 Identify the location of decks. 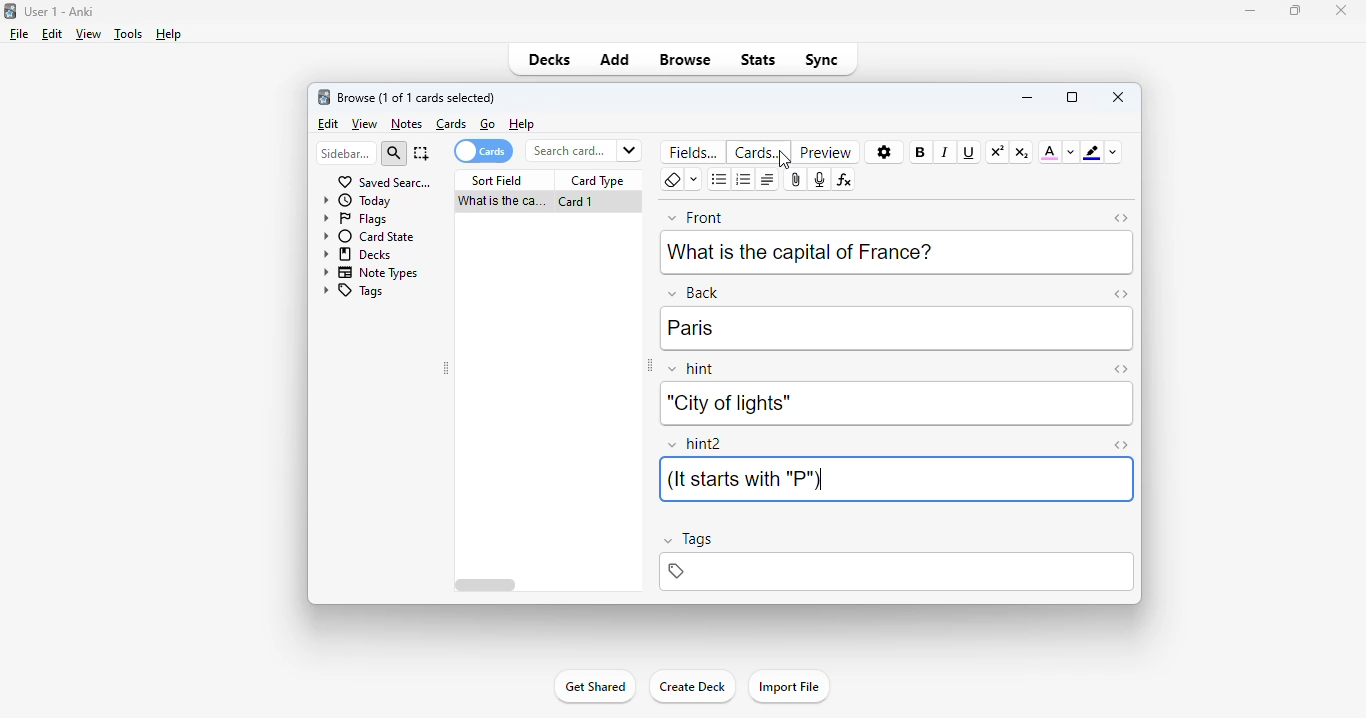
(550, 59).